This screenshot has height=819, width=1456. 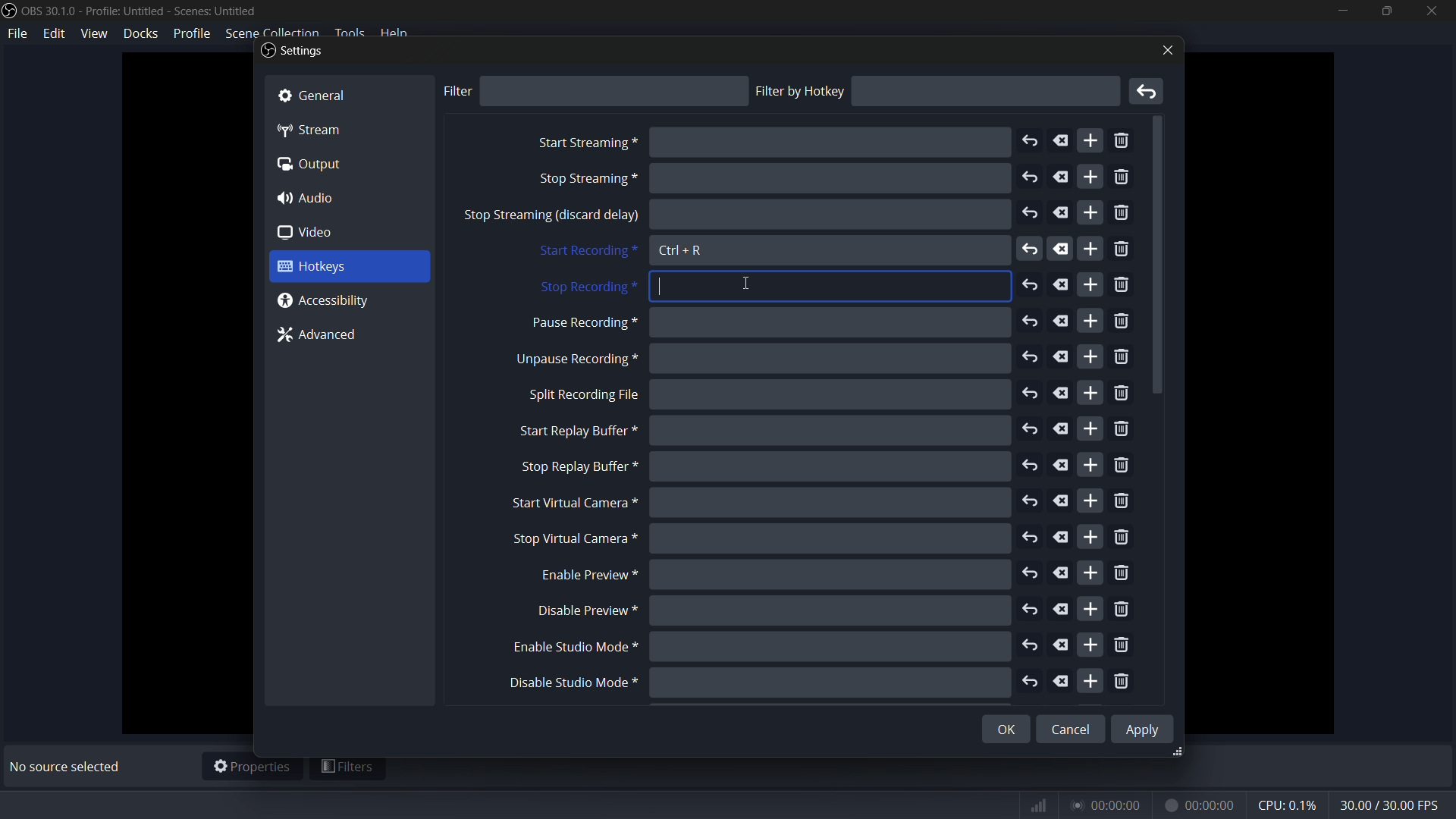 What do you see at coordinates (586, 288) in the screenshot?
I see `stop recording` at bounding box center [586, 288].